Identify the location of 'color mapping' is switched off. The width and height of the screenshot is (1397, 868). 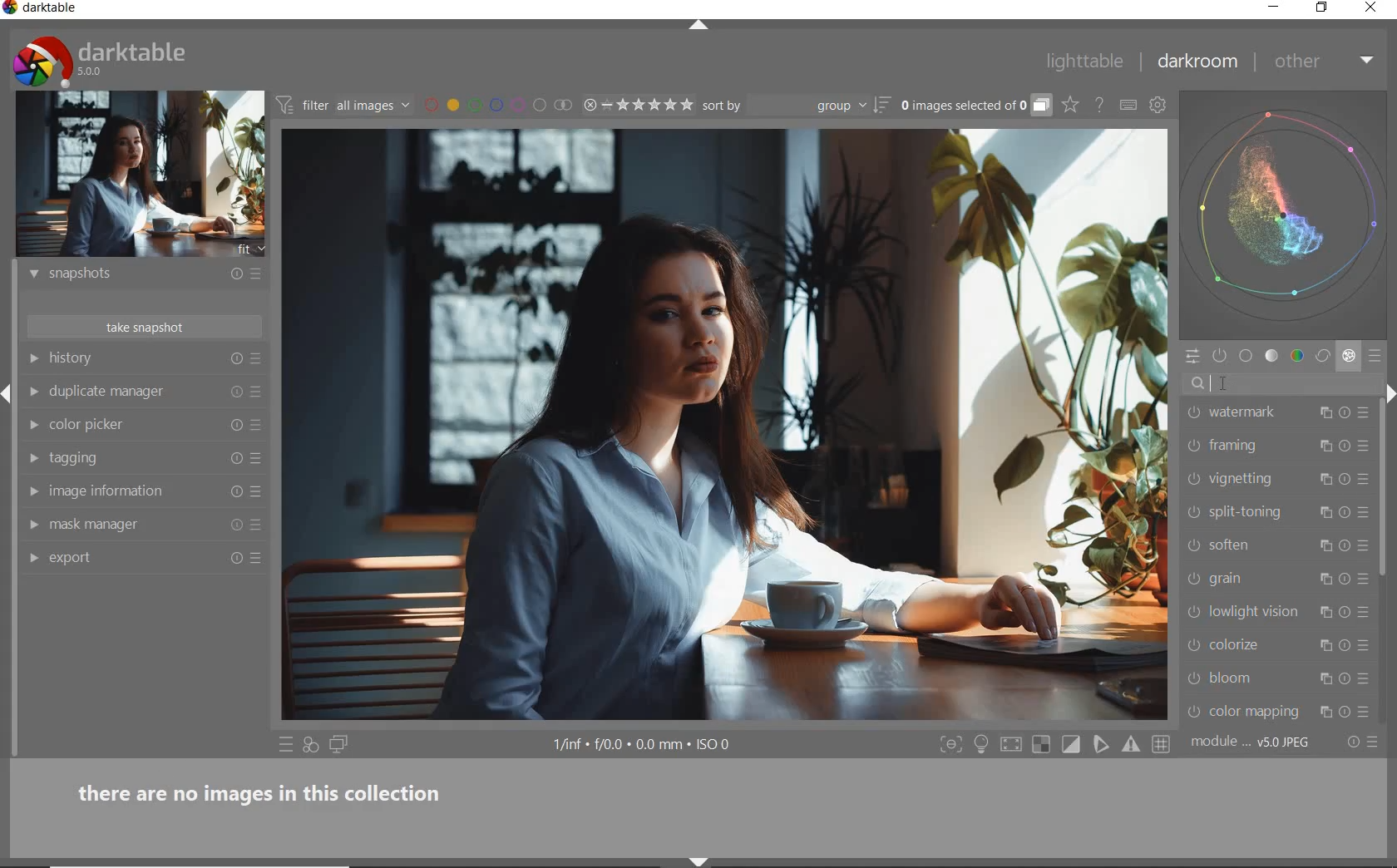
(1194, 712).